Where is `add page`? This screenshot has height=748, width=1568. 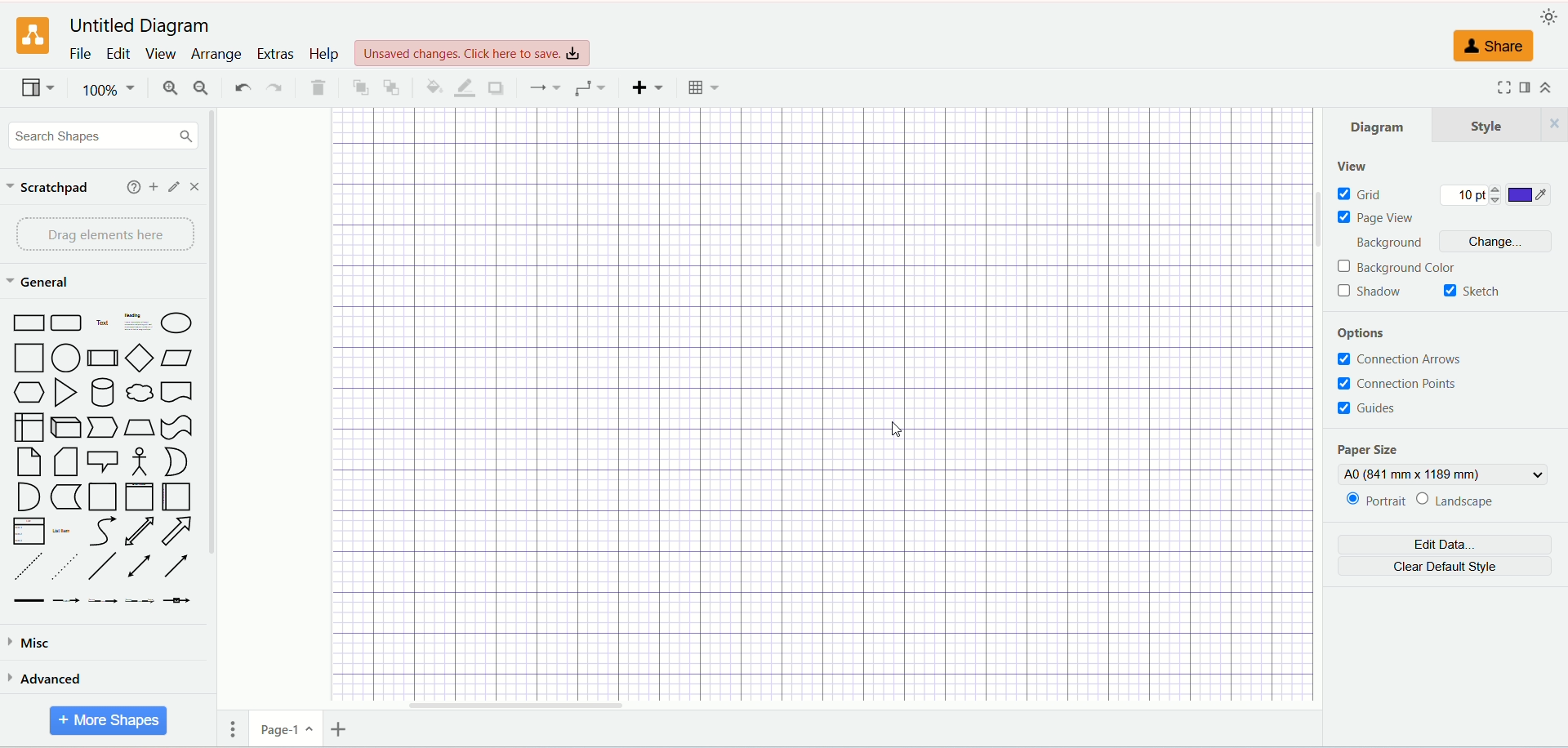 add page is located at coordinates (344, 728).